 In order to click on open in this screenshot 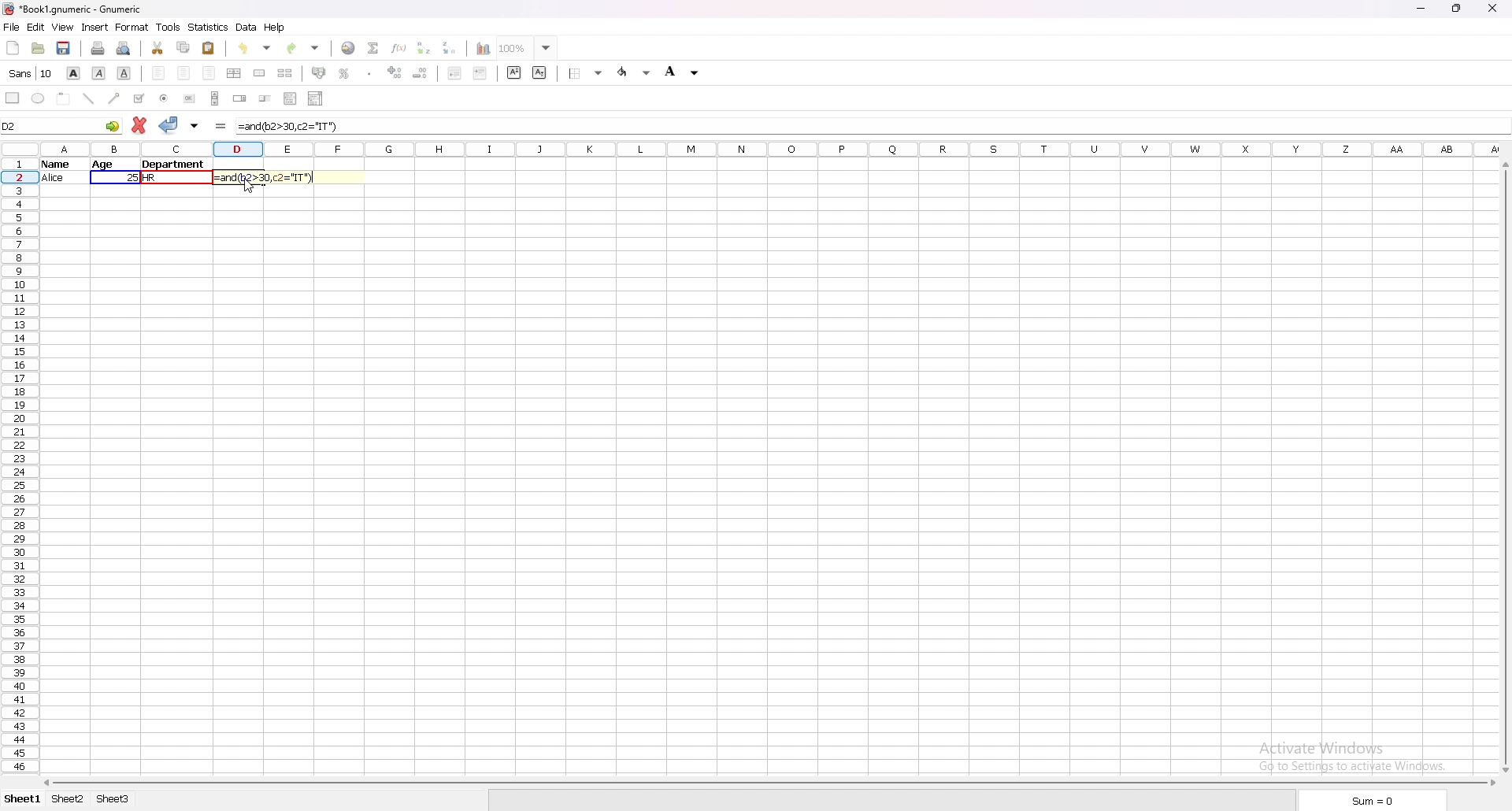, I will do `click(39, 49)`.